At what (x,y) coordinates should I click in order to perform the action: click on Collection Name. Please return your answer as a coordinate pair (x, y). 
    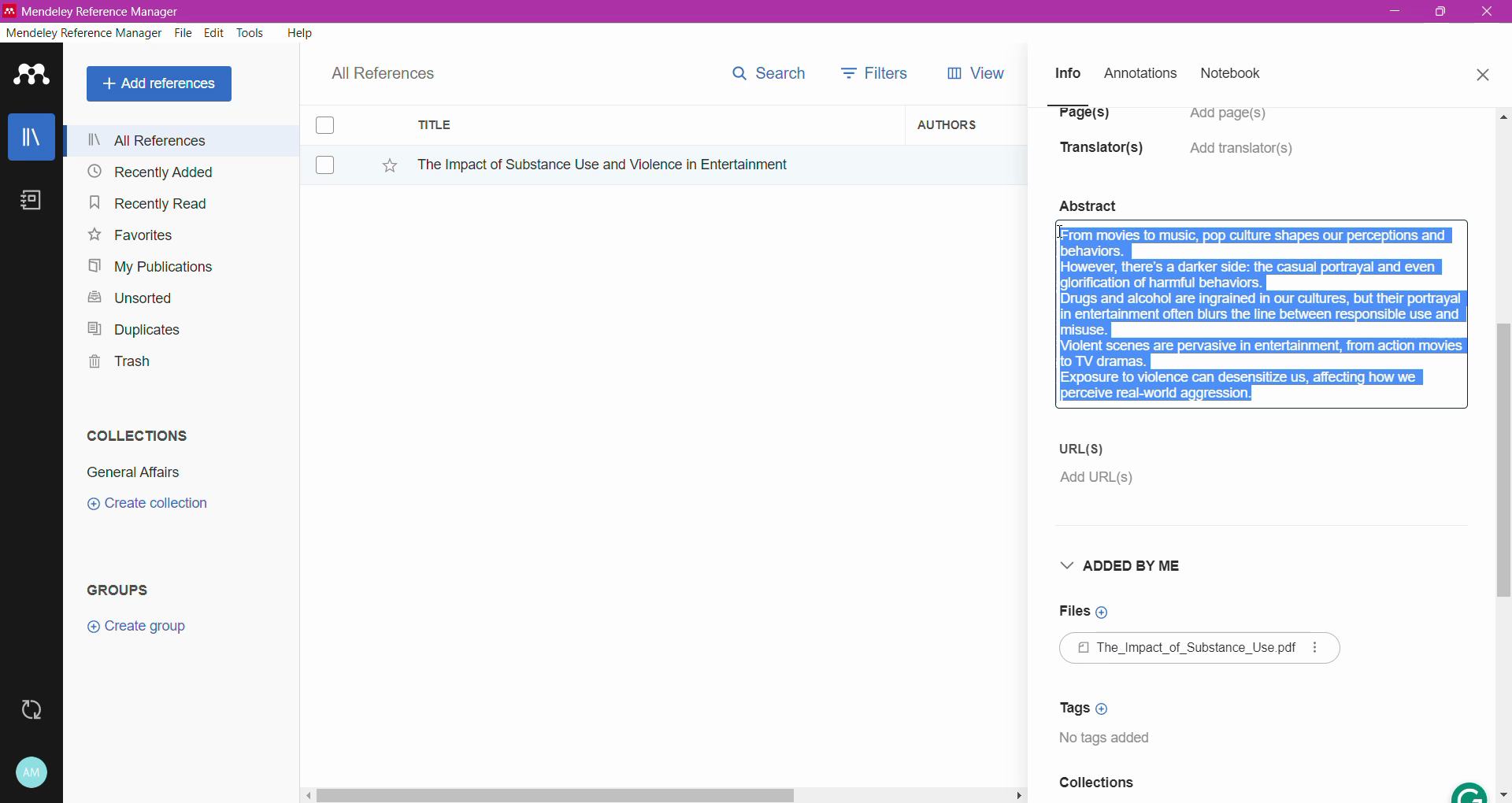
    Looking at the image, I should click on (131, 472).